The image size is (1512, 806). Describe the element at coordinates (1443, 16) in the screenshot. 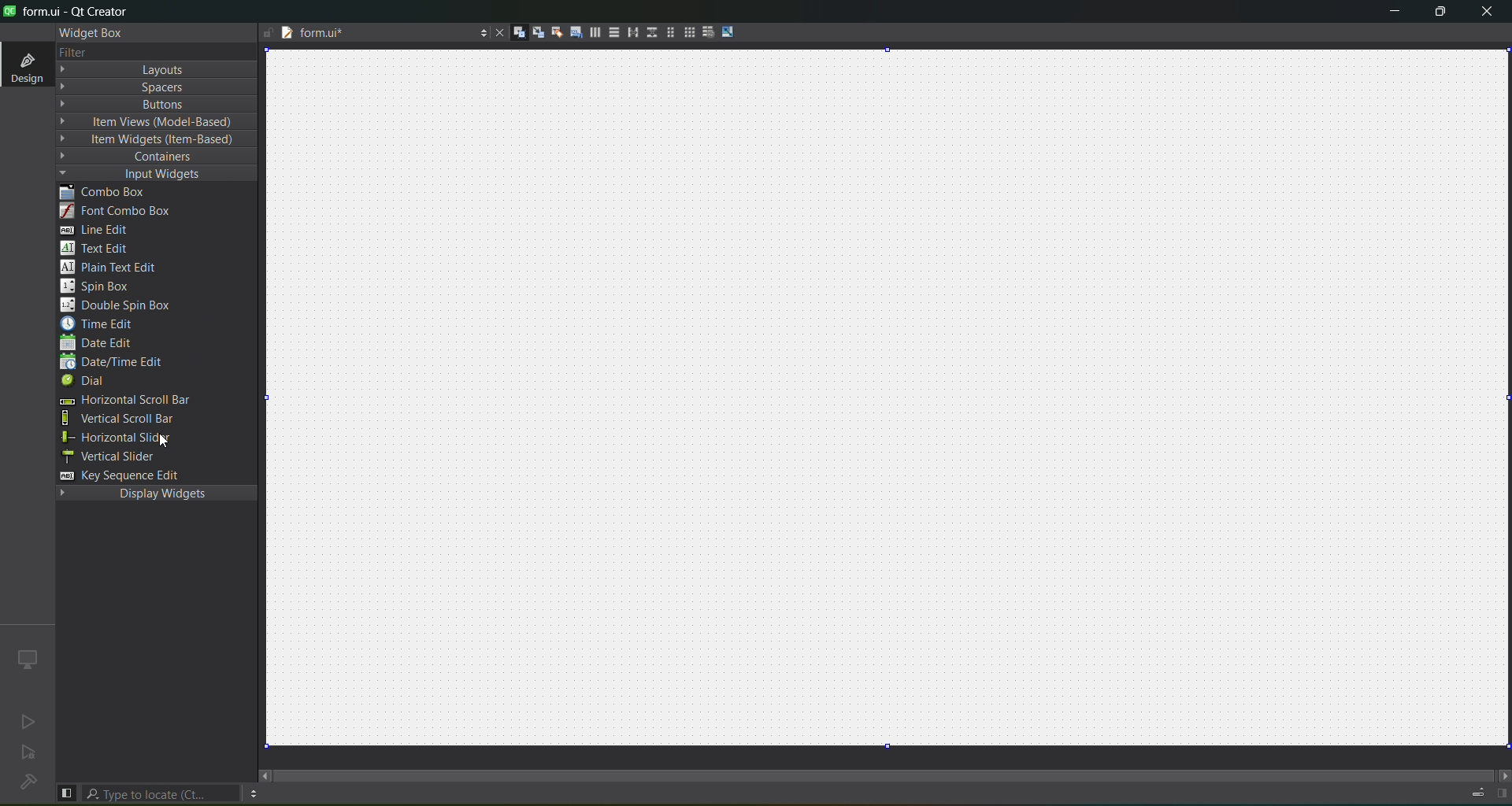

I see `maximize` at that location.